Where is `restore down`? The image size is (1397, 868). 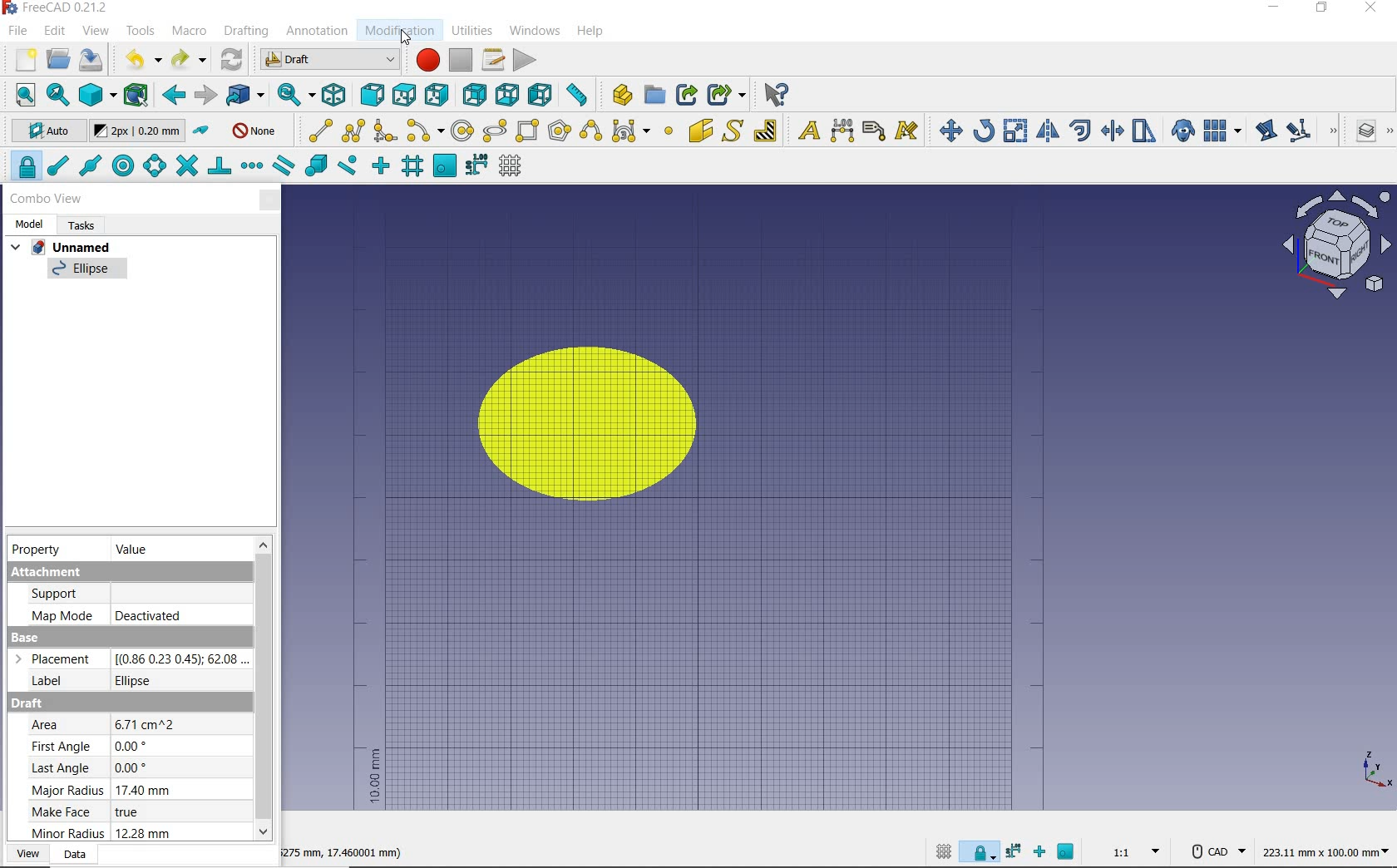 restore down is located at coordinates (1322, 8).